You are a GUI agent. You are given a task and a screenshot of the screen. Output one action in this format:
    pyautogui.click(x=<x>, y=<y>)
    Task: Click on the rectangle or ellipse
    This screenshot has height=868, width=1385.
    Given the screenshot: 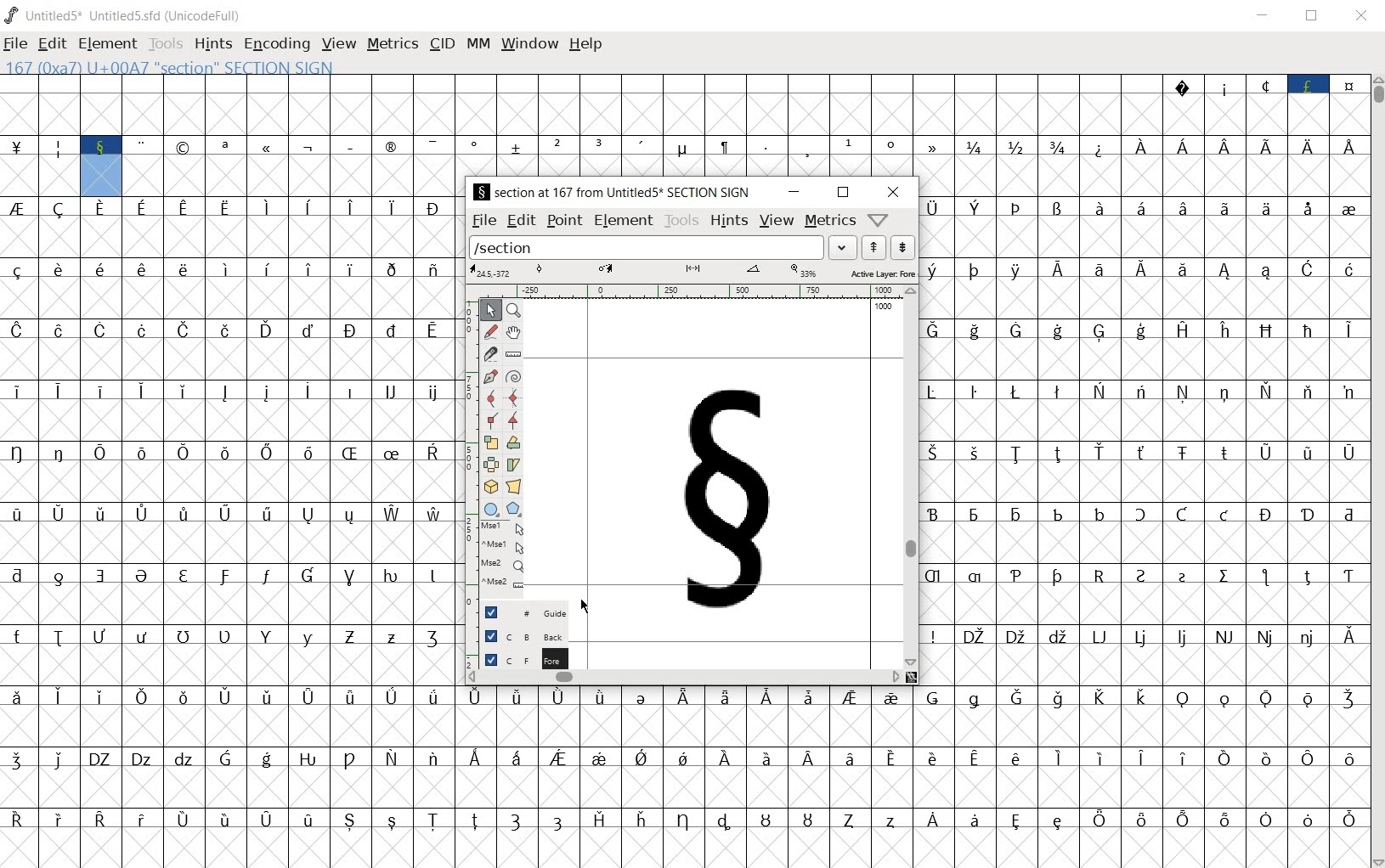 What is the action you would take?
    pyautogui.click(x=491, y=510)
    